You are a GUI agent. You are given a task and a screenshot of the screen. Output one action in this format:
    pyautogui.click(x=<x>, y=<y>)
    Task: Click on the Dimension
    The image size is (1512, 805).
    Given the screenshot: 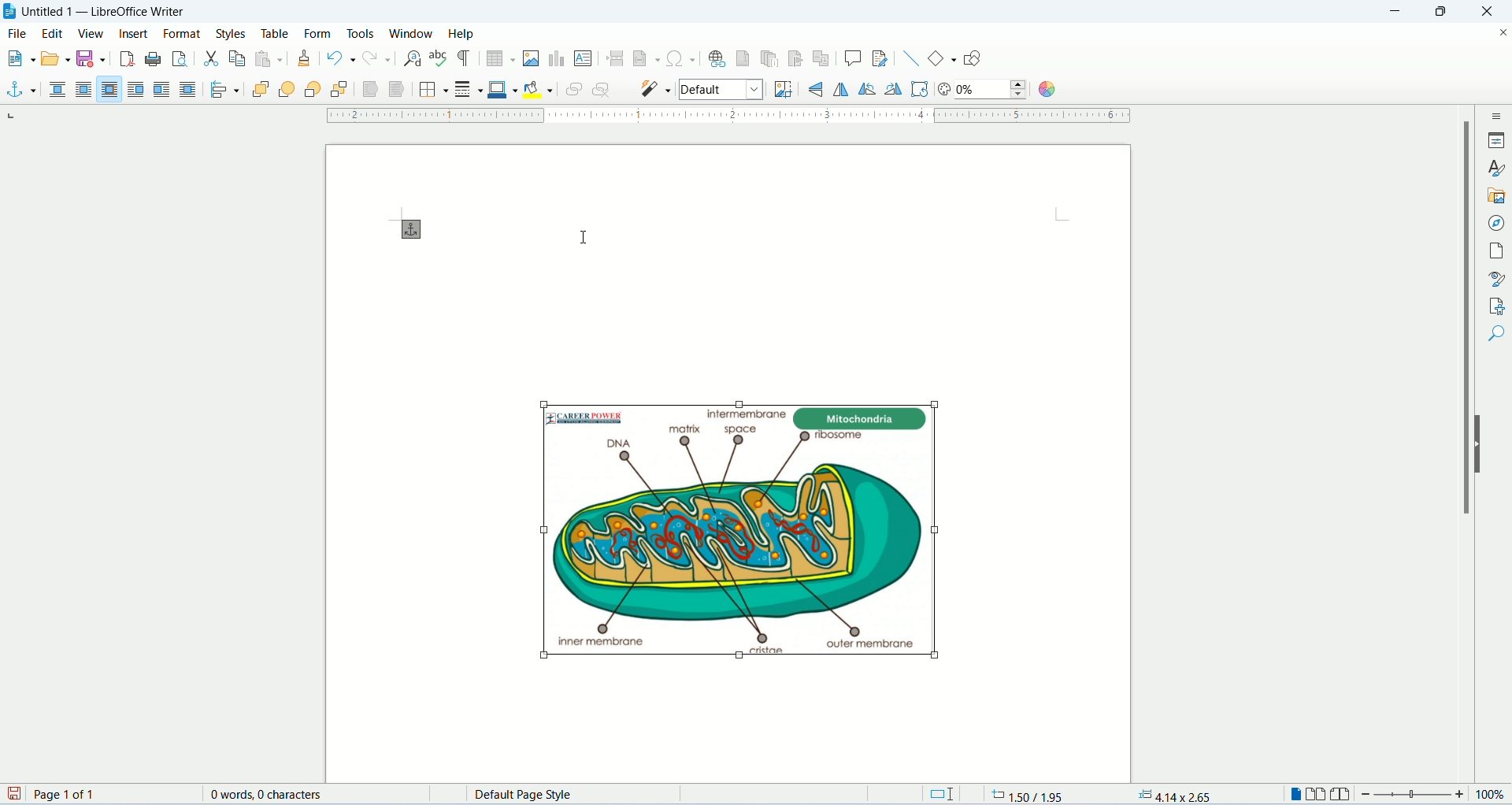 What is the action you would take?
    pyautogui.click(x=940, y=794)
    